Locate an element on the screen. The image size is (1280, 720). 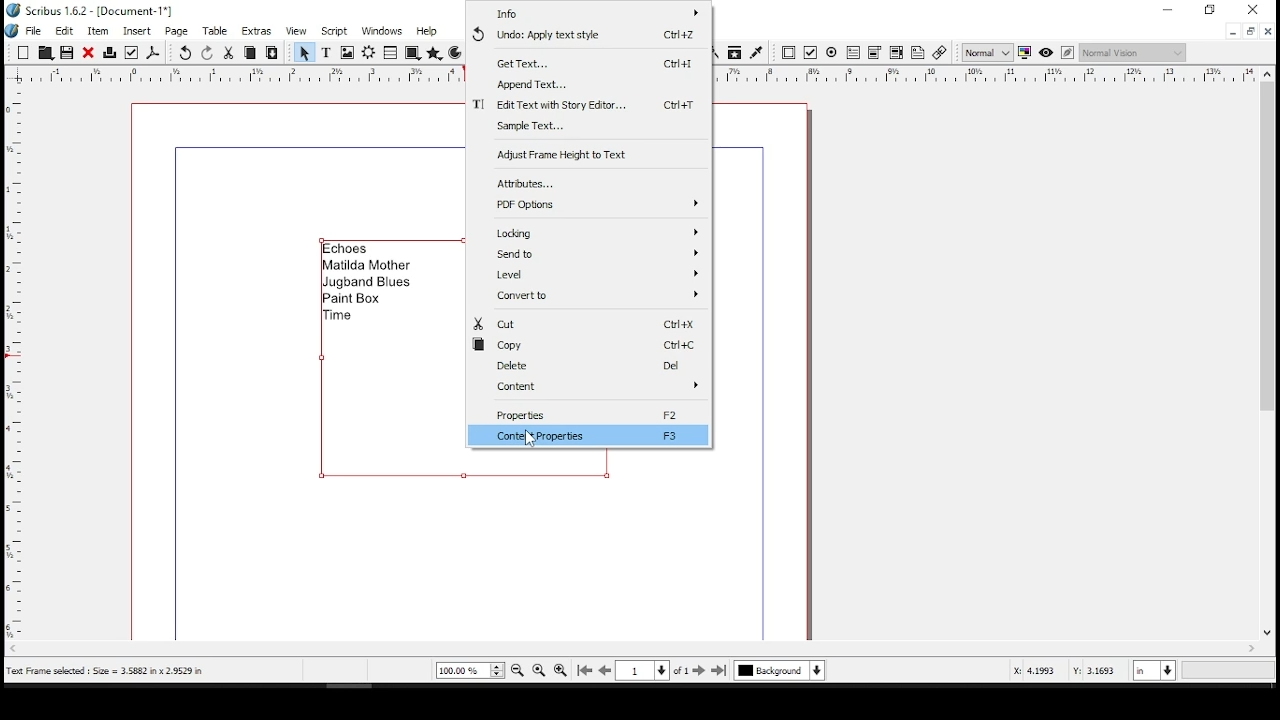
close window is located at coordinates (1268, 31).